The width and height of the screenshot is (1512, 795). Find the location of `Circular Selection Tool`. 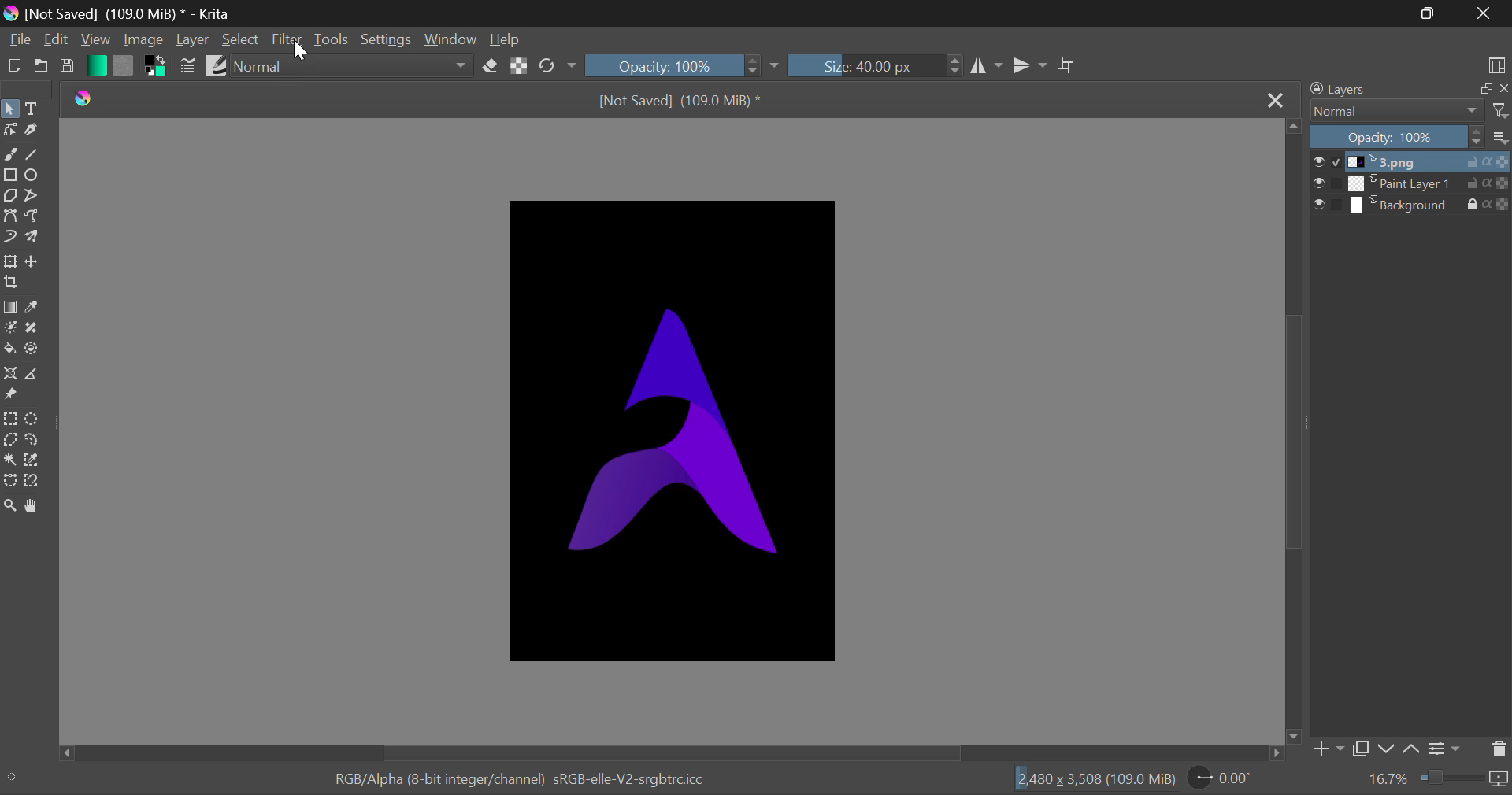

Circular Selection Tool is located at coordinates (35, 420).